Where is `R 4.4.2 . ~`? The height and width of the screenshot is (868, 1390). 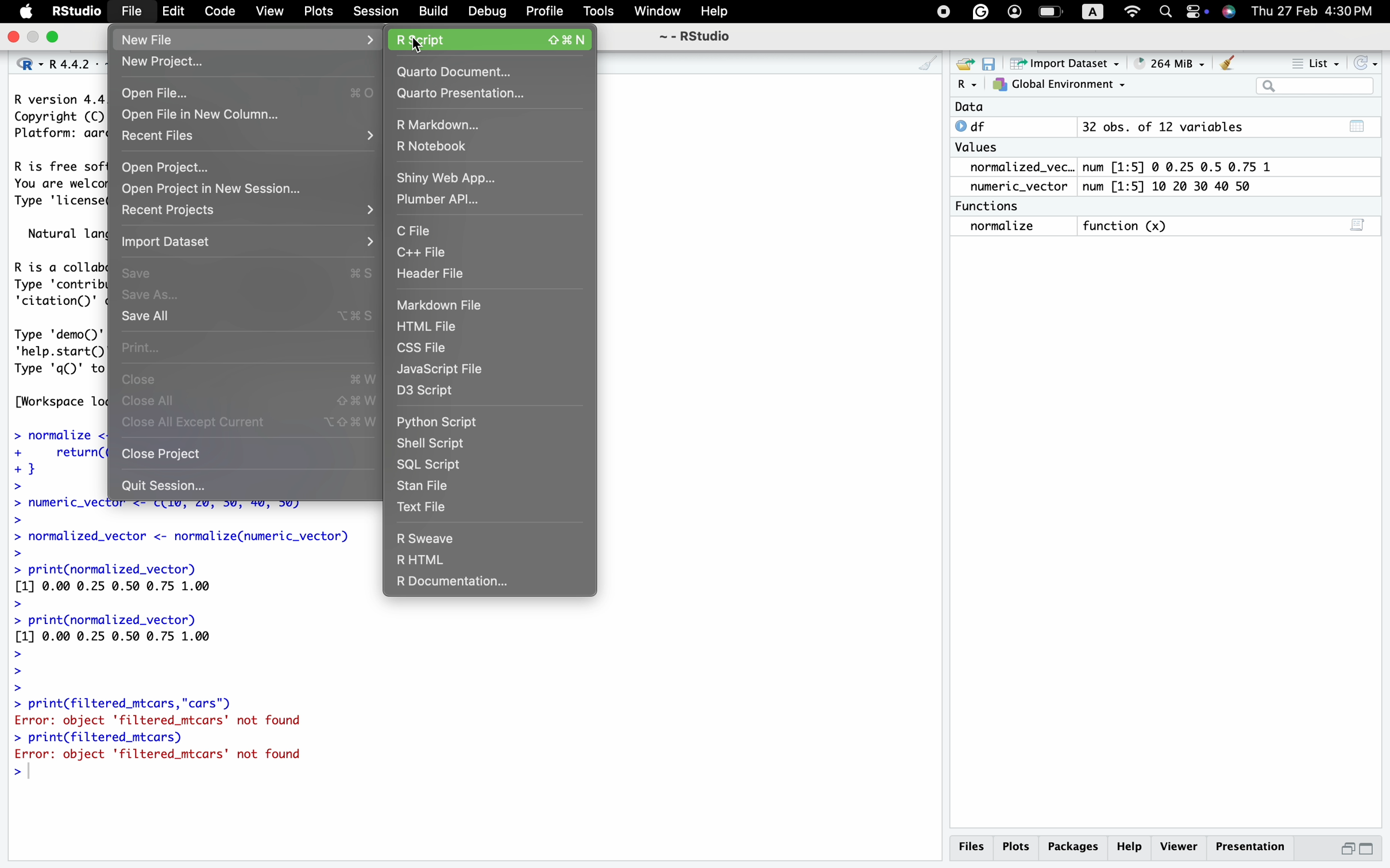
R 4.4.2 . ~ is located at coordinates (79, 64).